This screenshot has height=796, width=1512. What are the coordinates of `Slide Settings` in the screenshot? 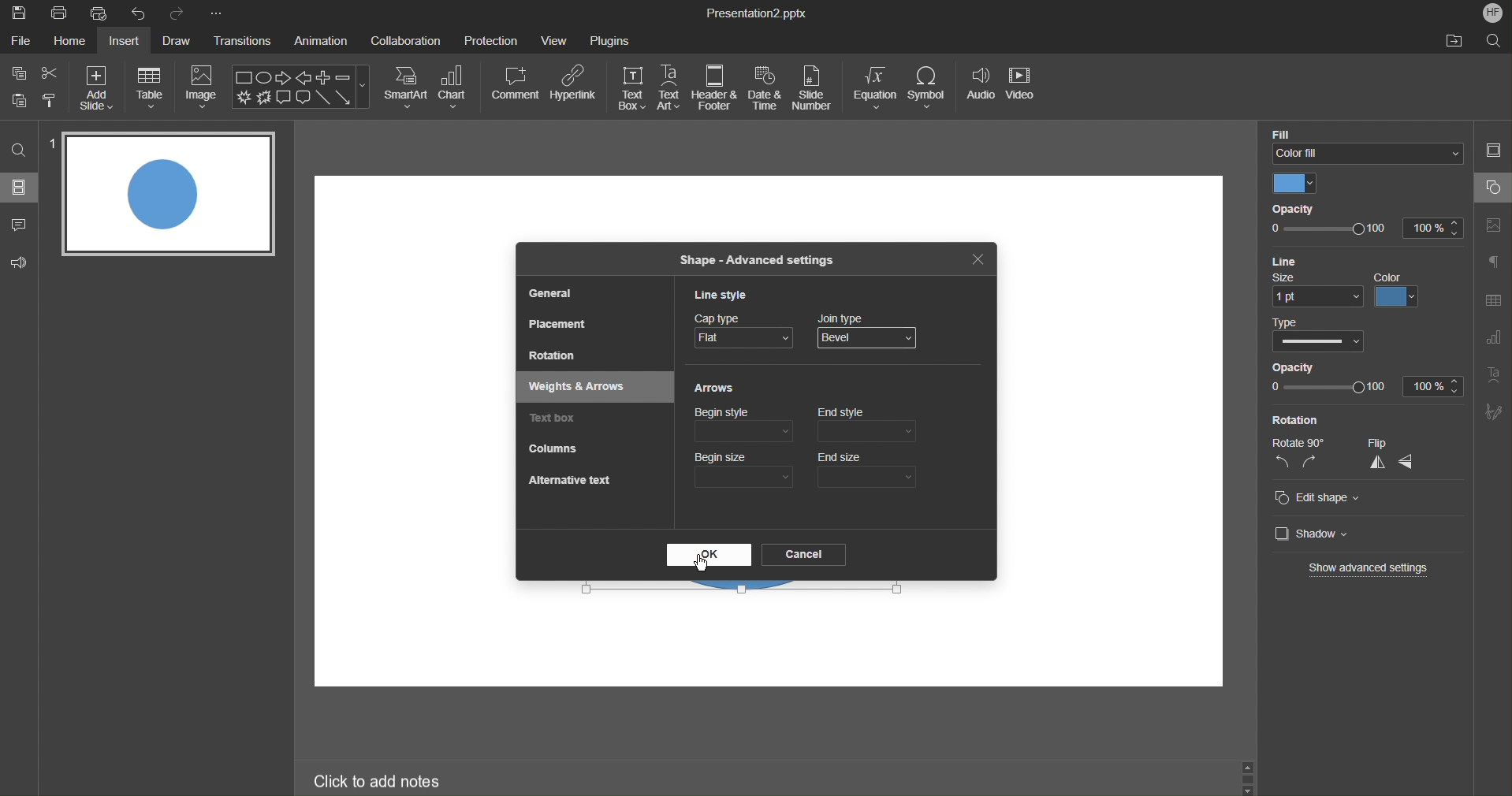 It's located at (1493, 153).